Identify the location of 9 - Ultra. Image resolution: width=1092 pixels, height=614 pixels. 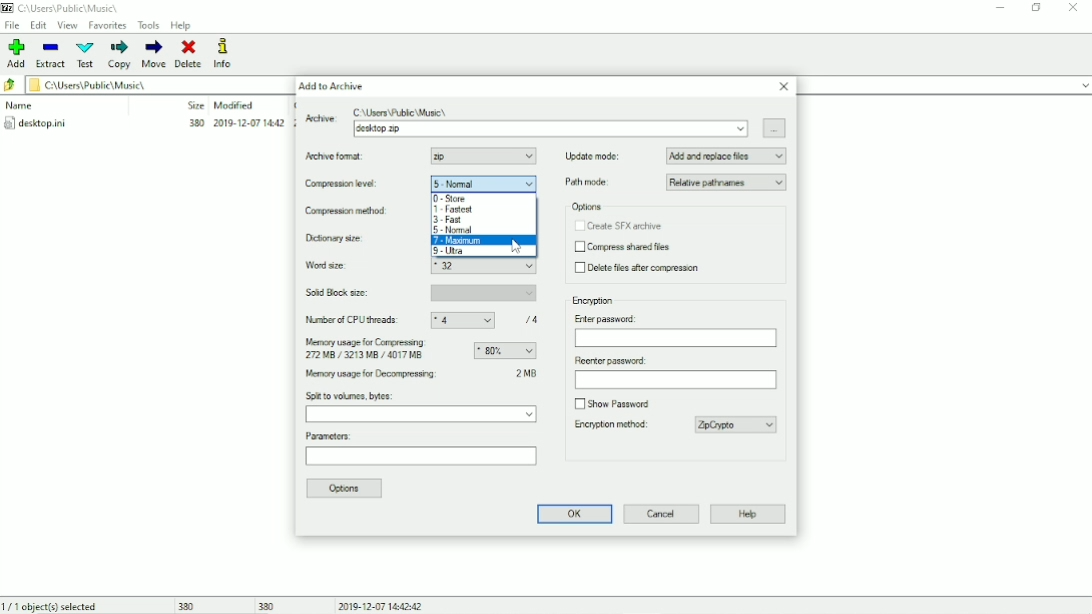
(452, 252).